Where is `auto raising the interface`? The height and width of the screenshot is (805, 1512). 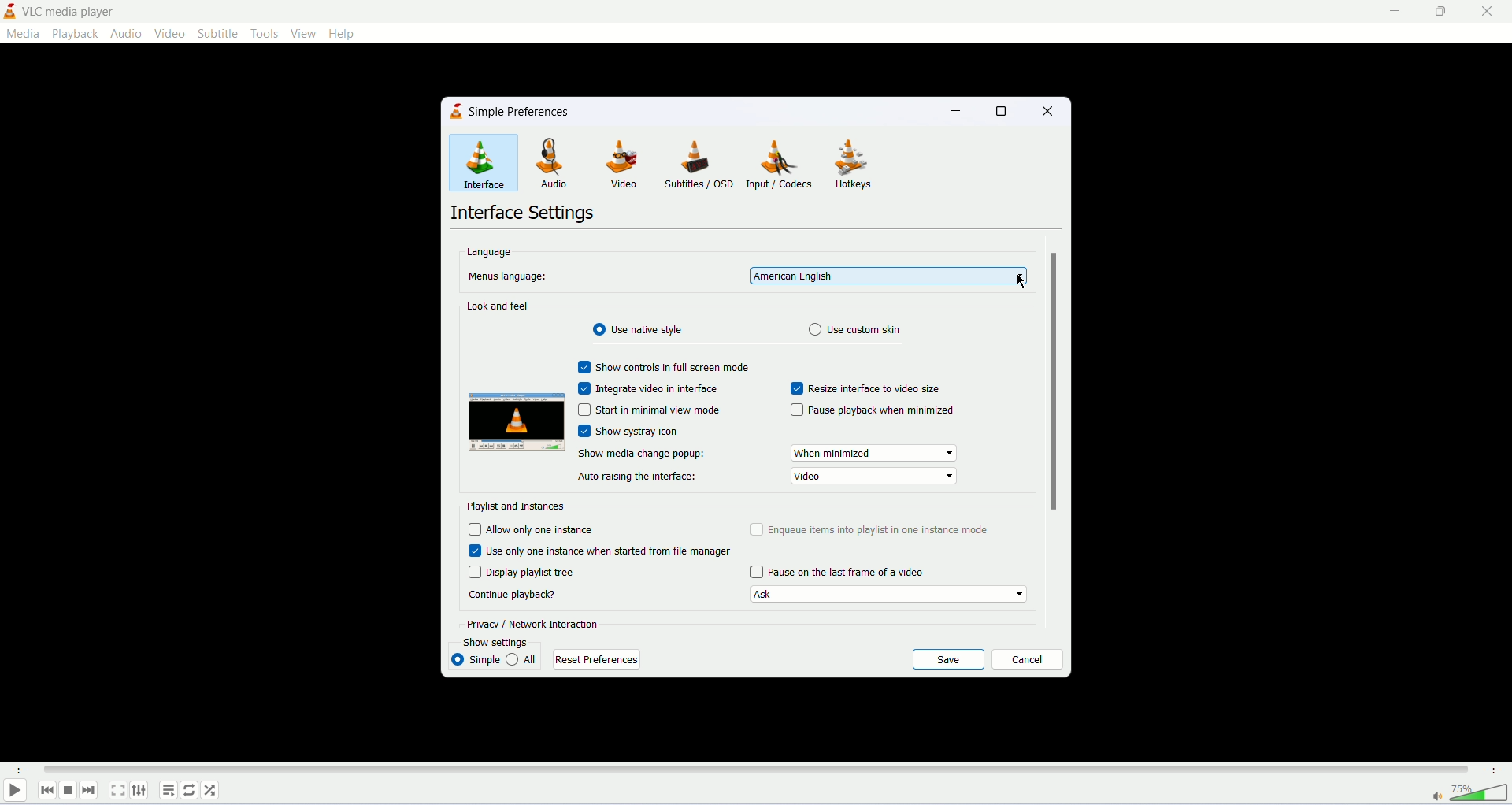 auto raising the interface is located at coordinates (636, 477).